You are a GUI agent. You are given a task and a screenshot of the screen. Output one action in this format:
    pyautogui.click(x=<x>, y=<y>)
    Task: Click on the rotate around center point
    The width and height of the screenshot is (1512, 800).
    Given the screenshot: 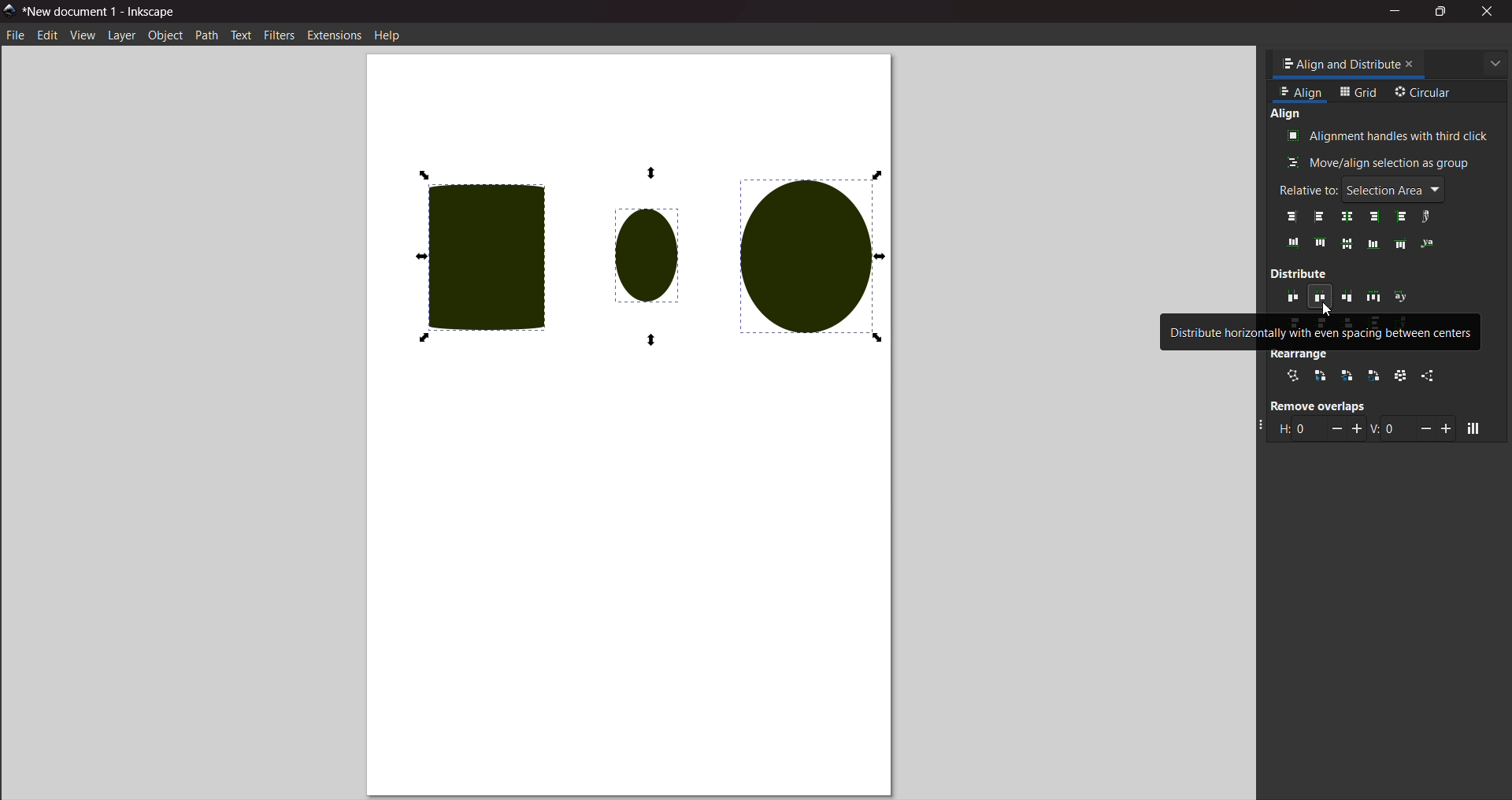 What is the action you would take?
    pyautogui.click(x=1374, y=376)
    